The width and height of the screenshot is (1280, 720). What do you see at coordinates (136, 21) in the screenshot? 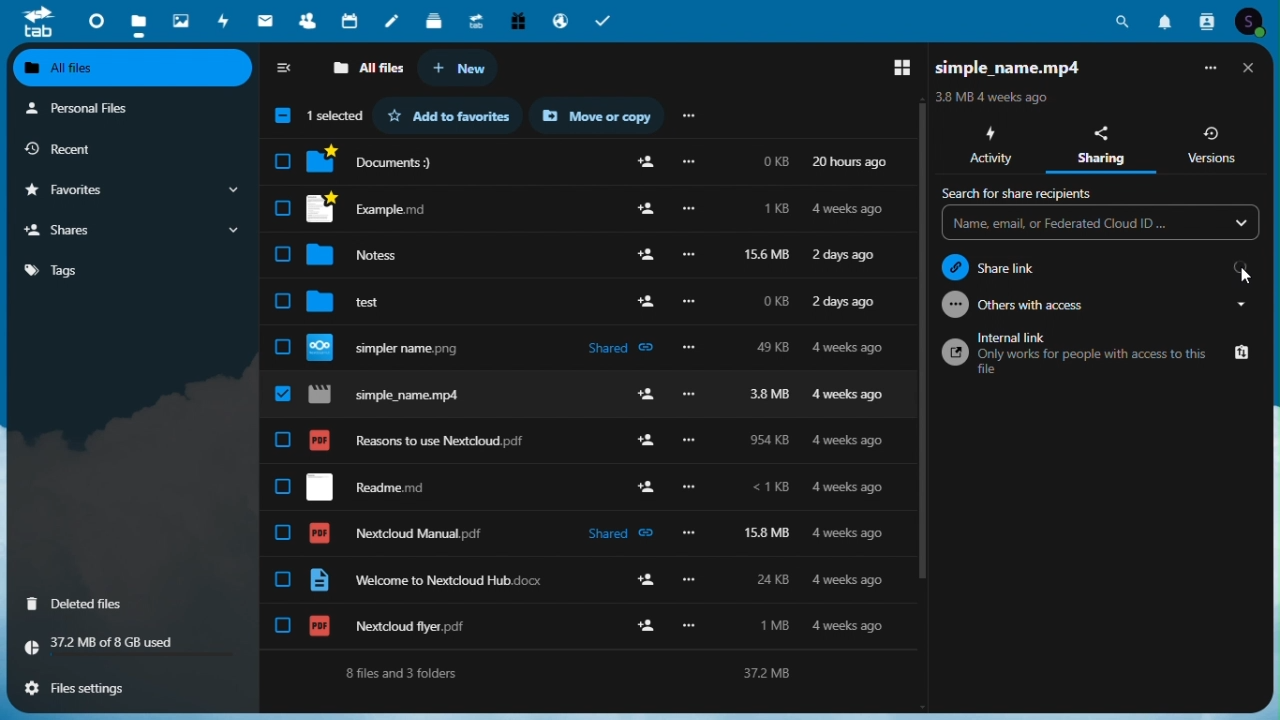
I see `Files` at bounding box center [136, 21].